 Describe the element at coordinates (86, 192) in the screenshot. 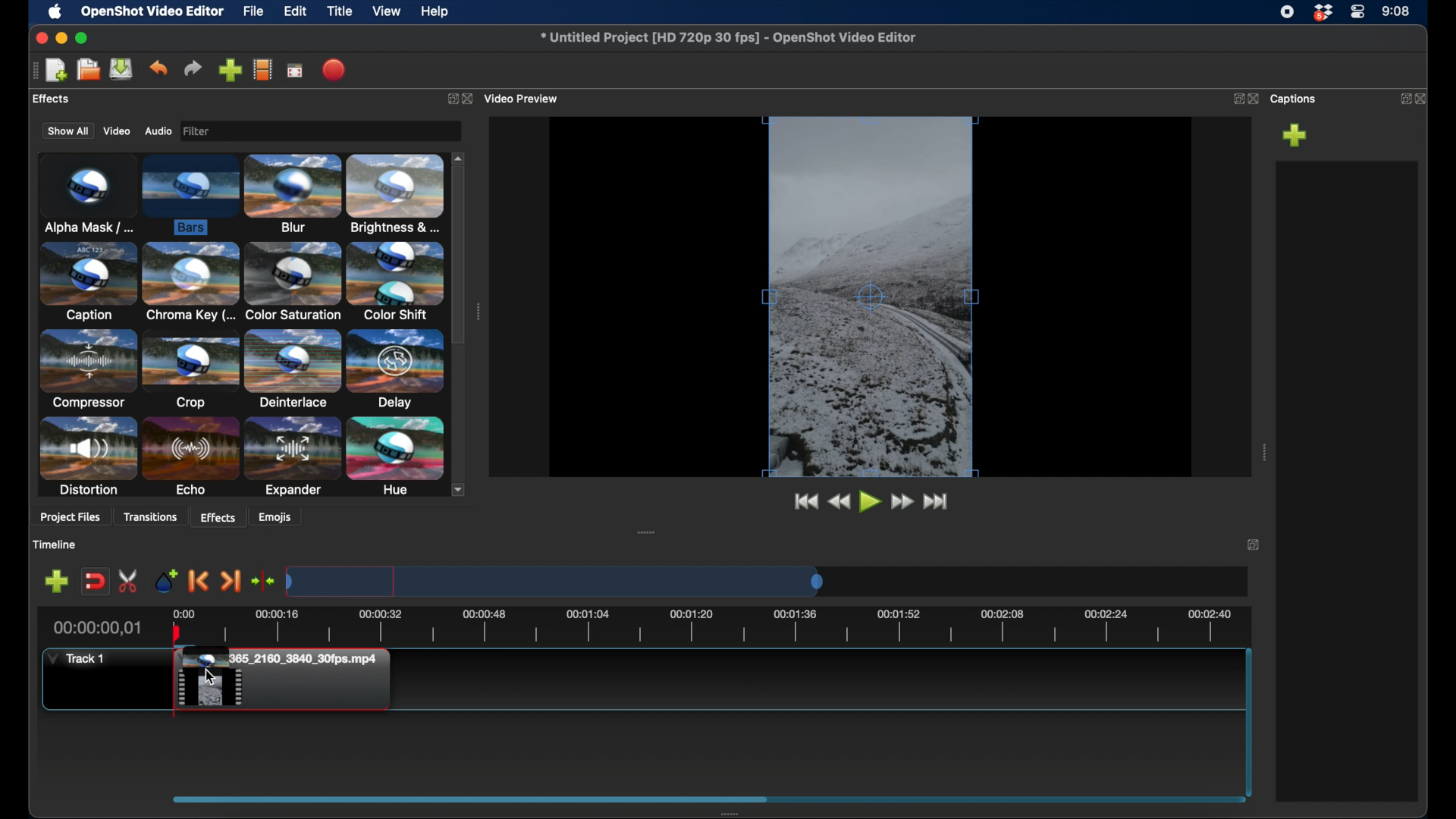

I see `alpha mask` at that location.